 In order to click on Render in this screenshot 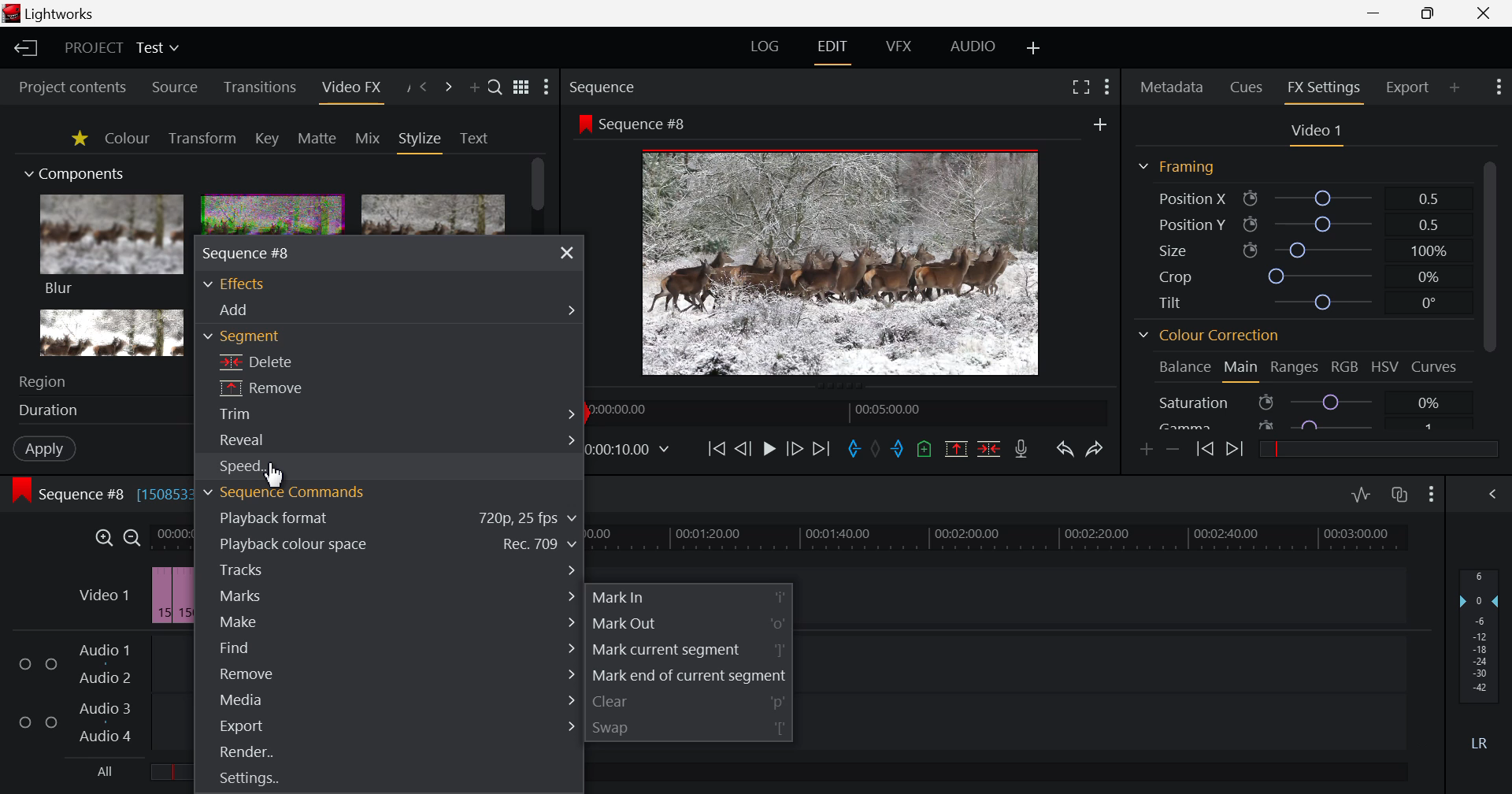, I will do `click(389, 755)`.